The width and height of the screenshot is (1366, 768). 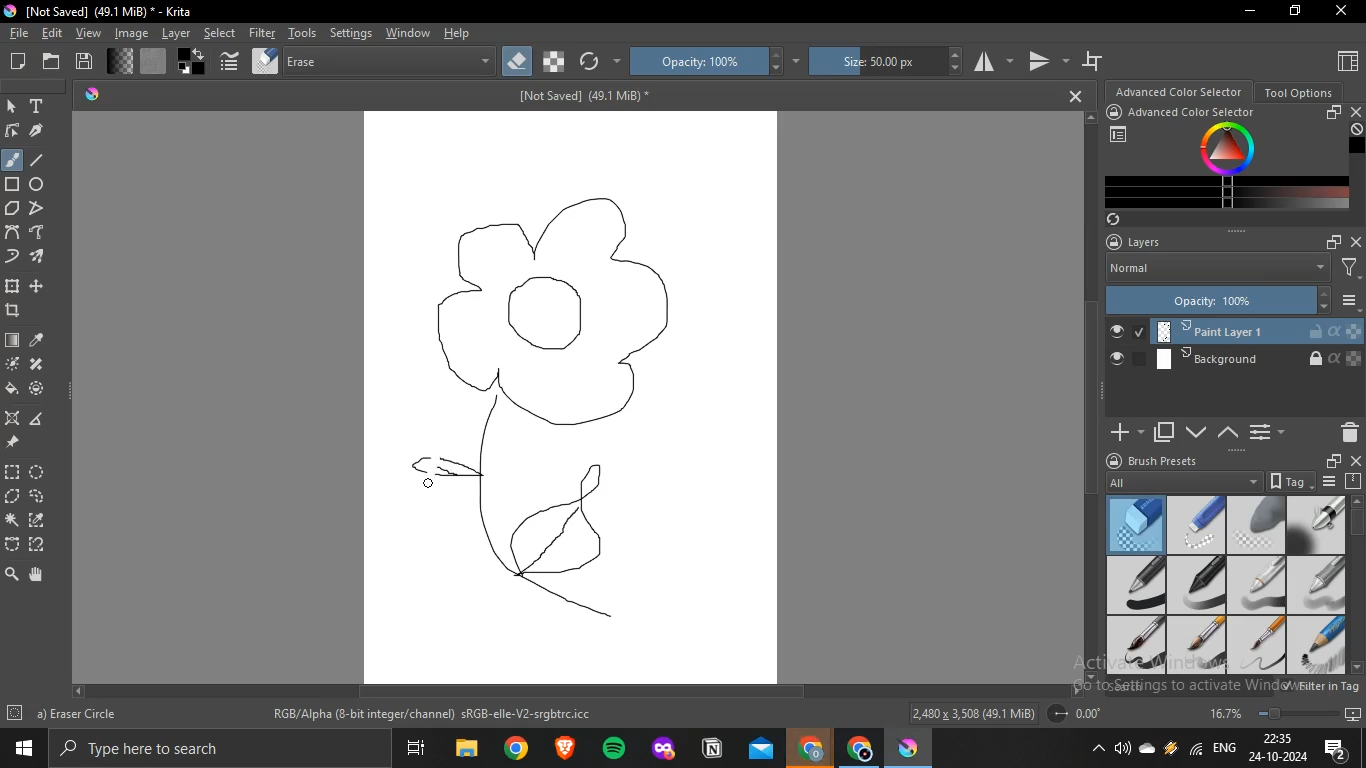 I want to click on bezier curve selection tool, so click(x=13, y=545).